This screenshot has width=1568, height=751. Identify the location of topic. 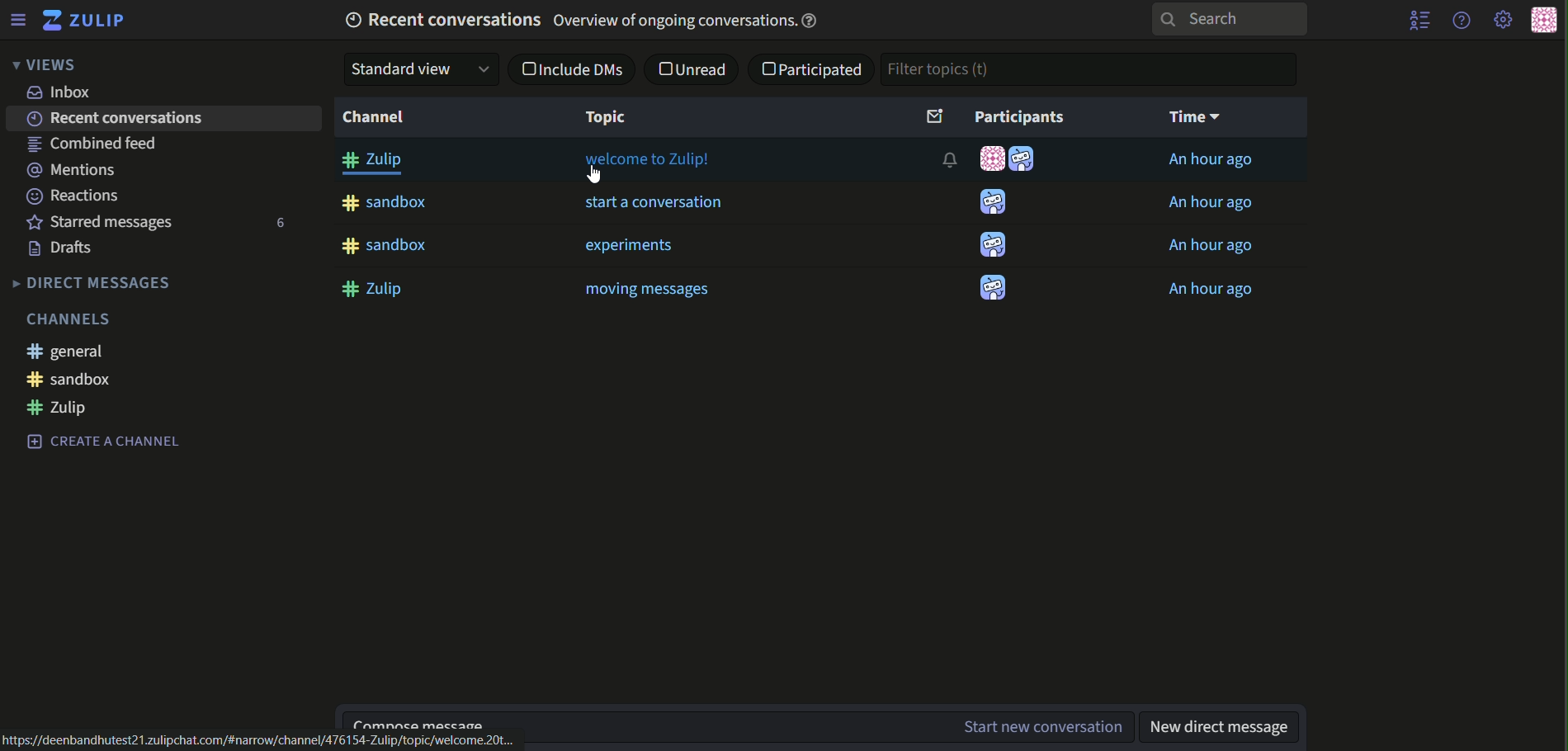
(608, 117).